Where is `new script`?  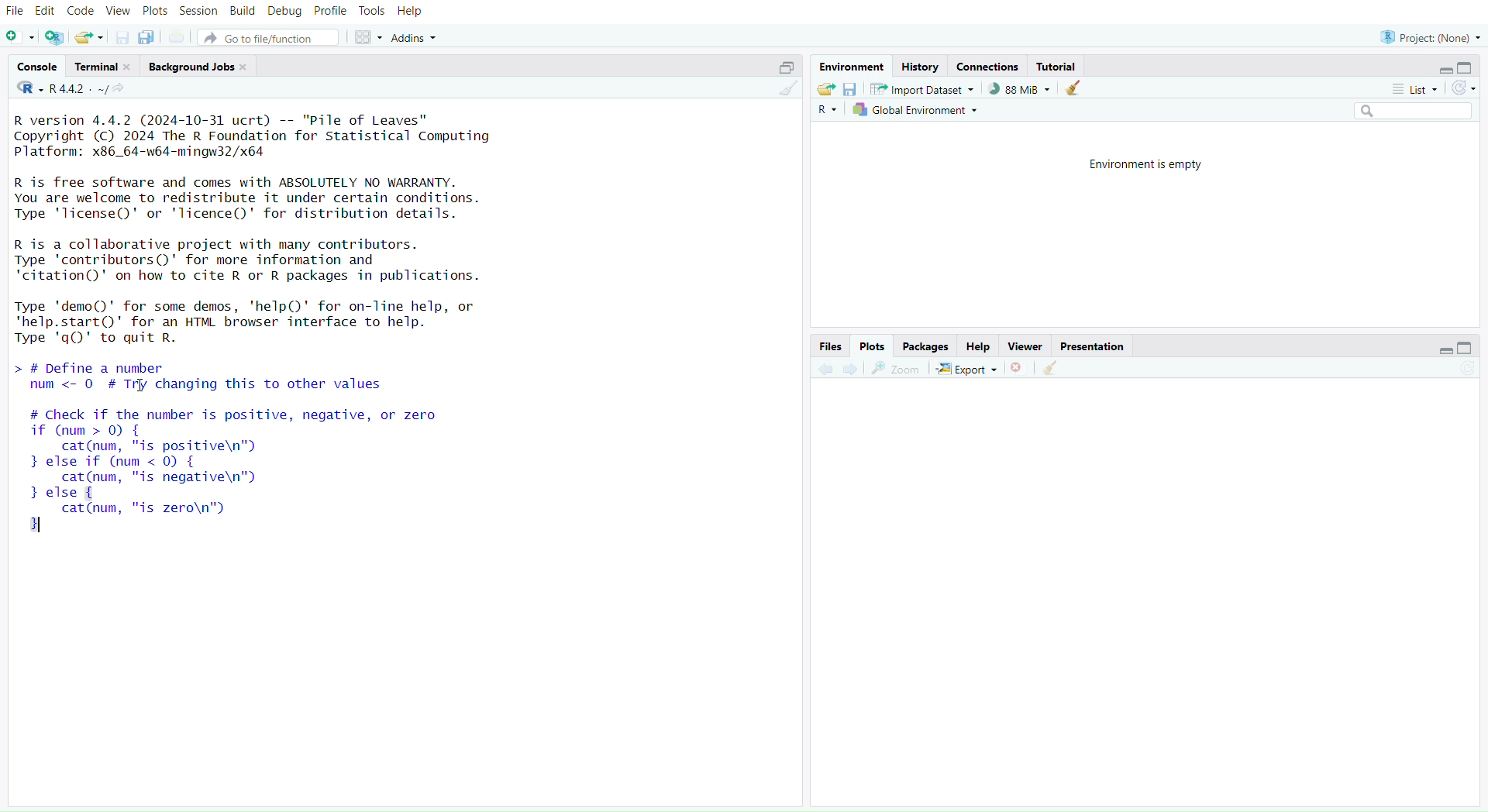
new script is located at coordinates (21, 38).